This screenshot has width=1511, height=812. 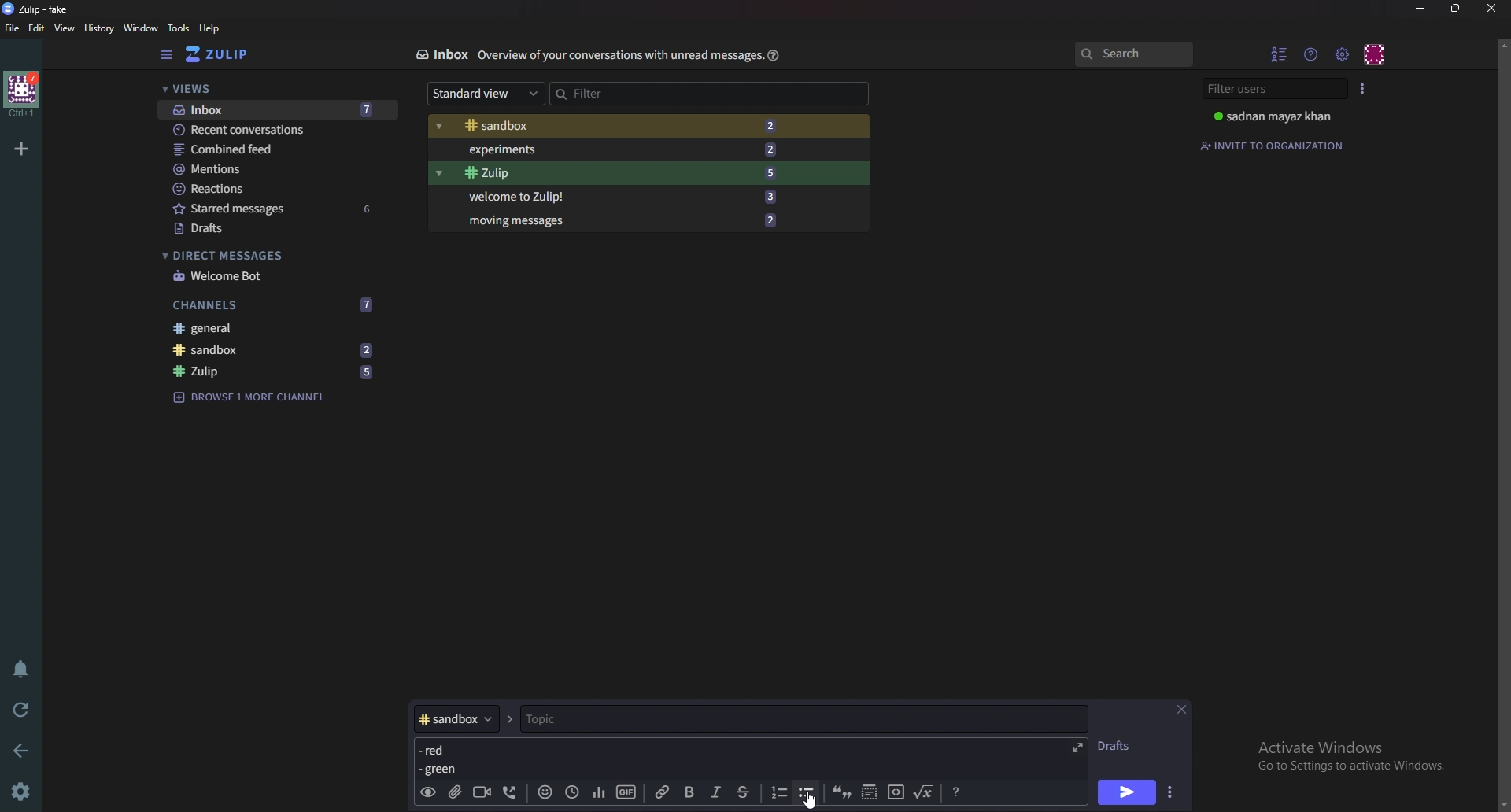 What do you see at coordinates (1125, 794) in the screenshot?
I see `send` at bounding box center [1125, 794].